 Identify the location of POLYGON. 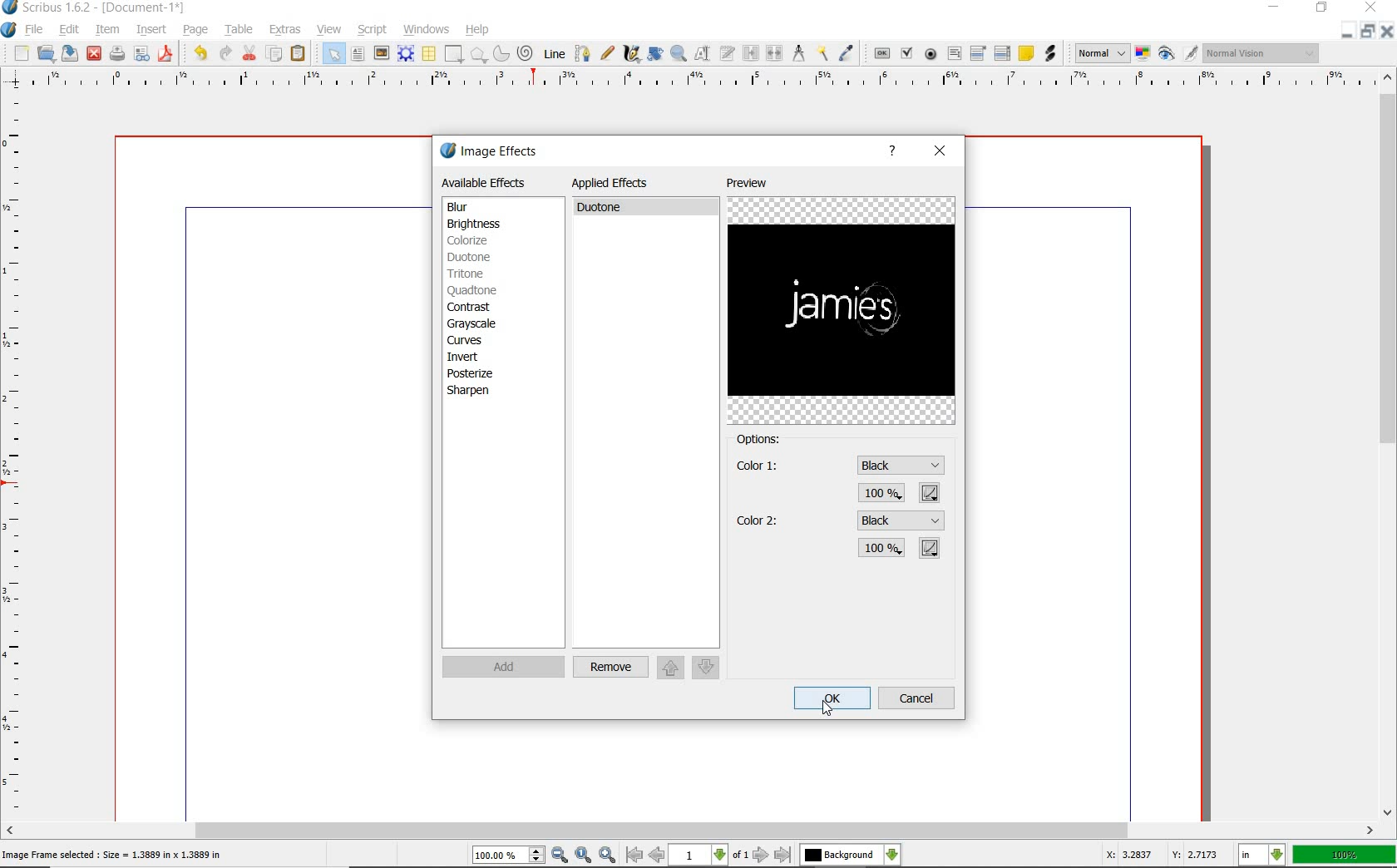
(478, 55).